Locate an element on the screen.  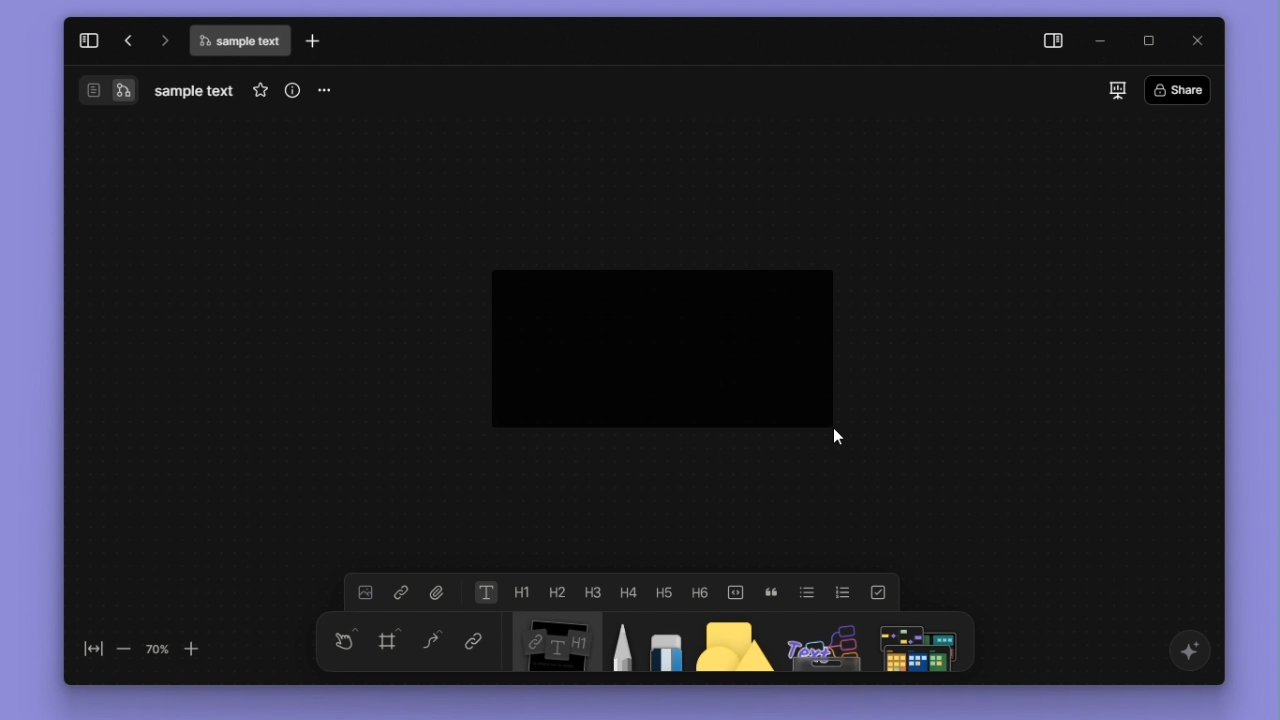
quote is located at coordinates (773, 591).